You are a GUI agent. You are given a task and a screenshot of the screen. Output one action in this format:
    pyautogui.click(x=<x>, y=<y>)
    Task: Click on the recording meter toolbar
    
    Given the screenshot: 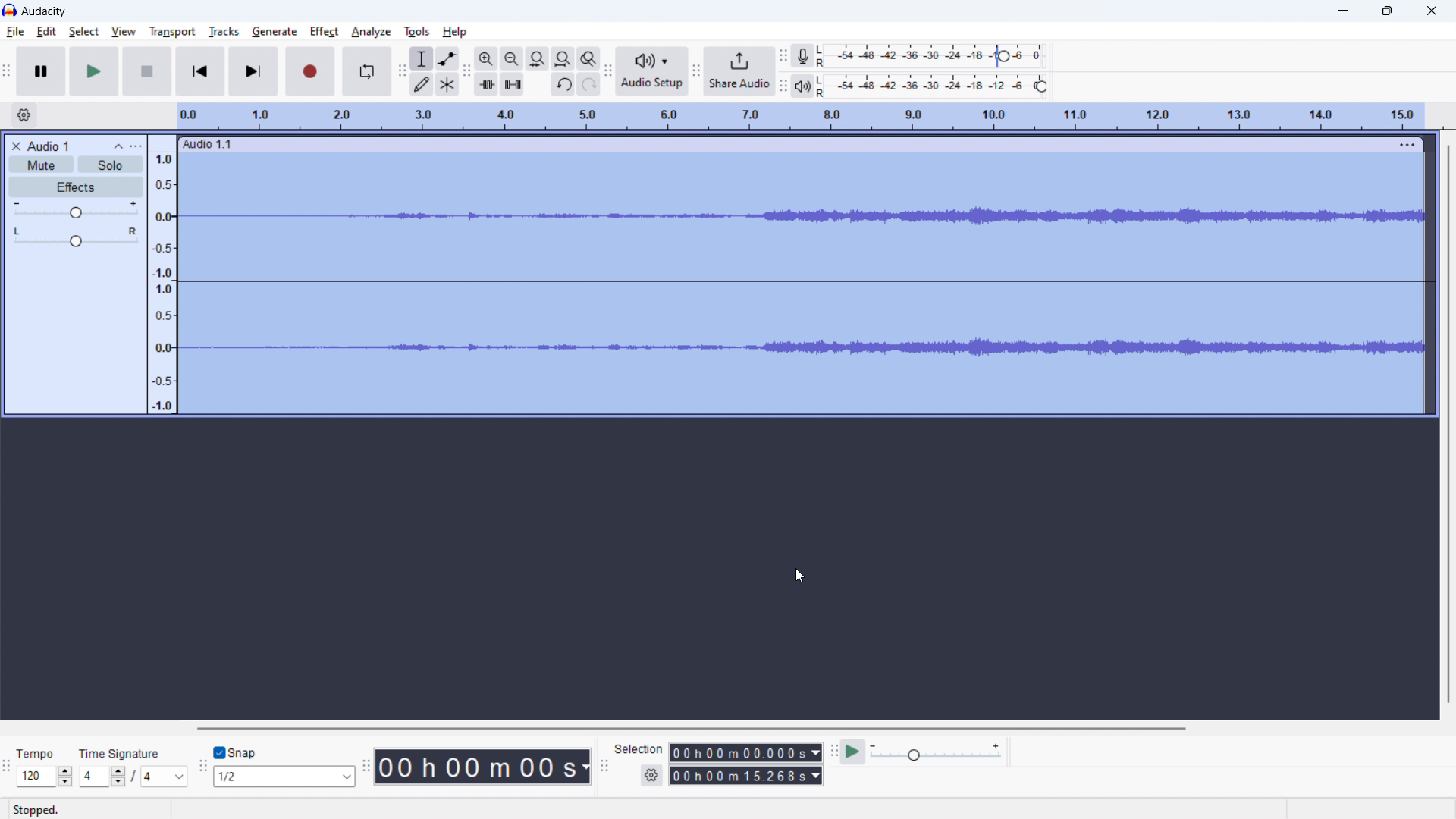 What is the action you would take?
    pyautogui.click(x=783, y=56)
    